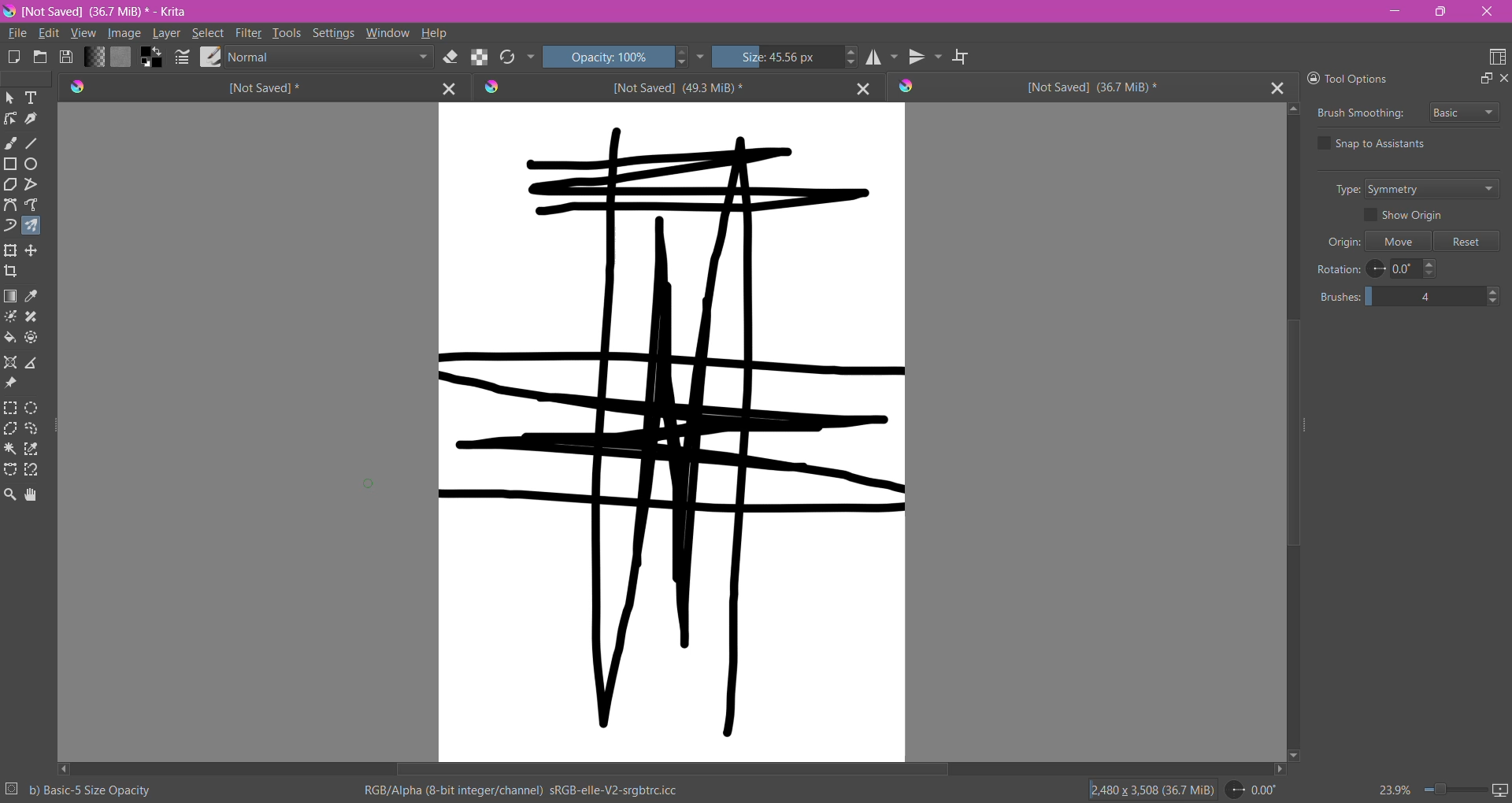 This screenshot has width=1512, height=803. Describe the element at coordinates (33, 143) in the screenshot. I see `Line Tool` at that location.